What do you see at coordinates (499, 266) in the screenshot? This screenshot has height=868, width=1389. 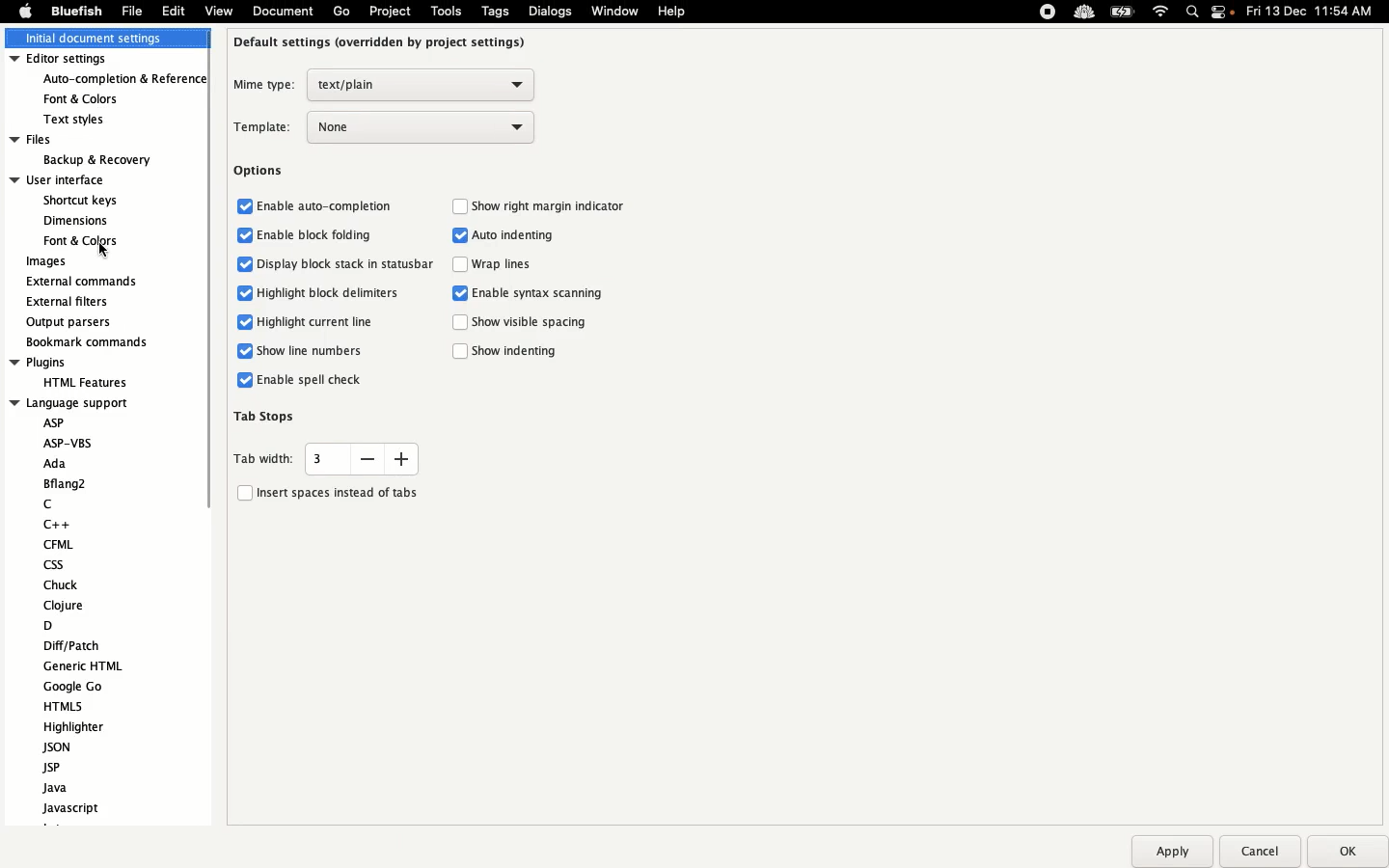 I see `Wrap lines` at bounding box center [499, 266].